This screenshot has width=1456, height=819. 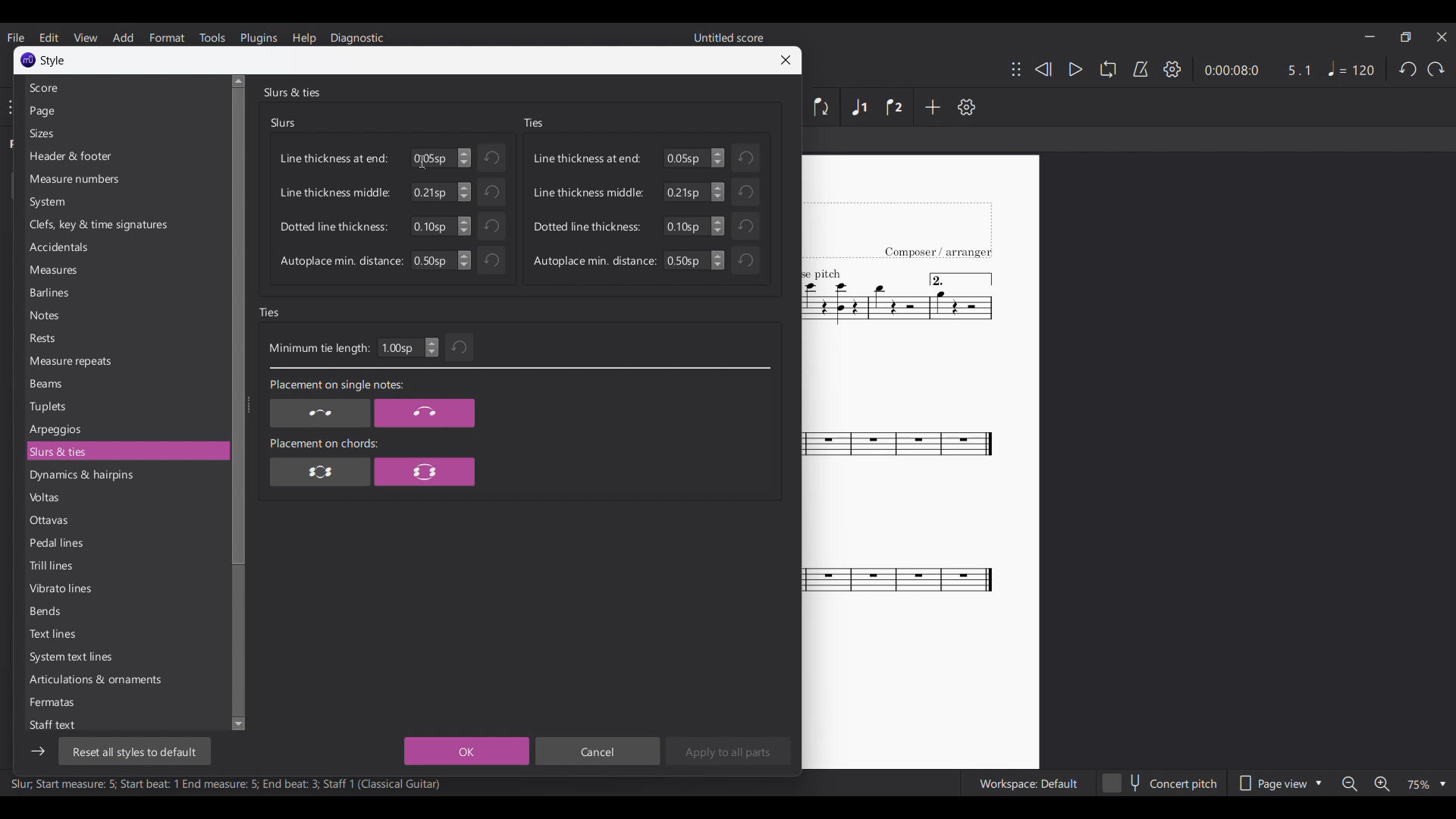 I want to click on Undo, so click(x=1407, y=69).